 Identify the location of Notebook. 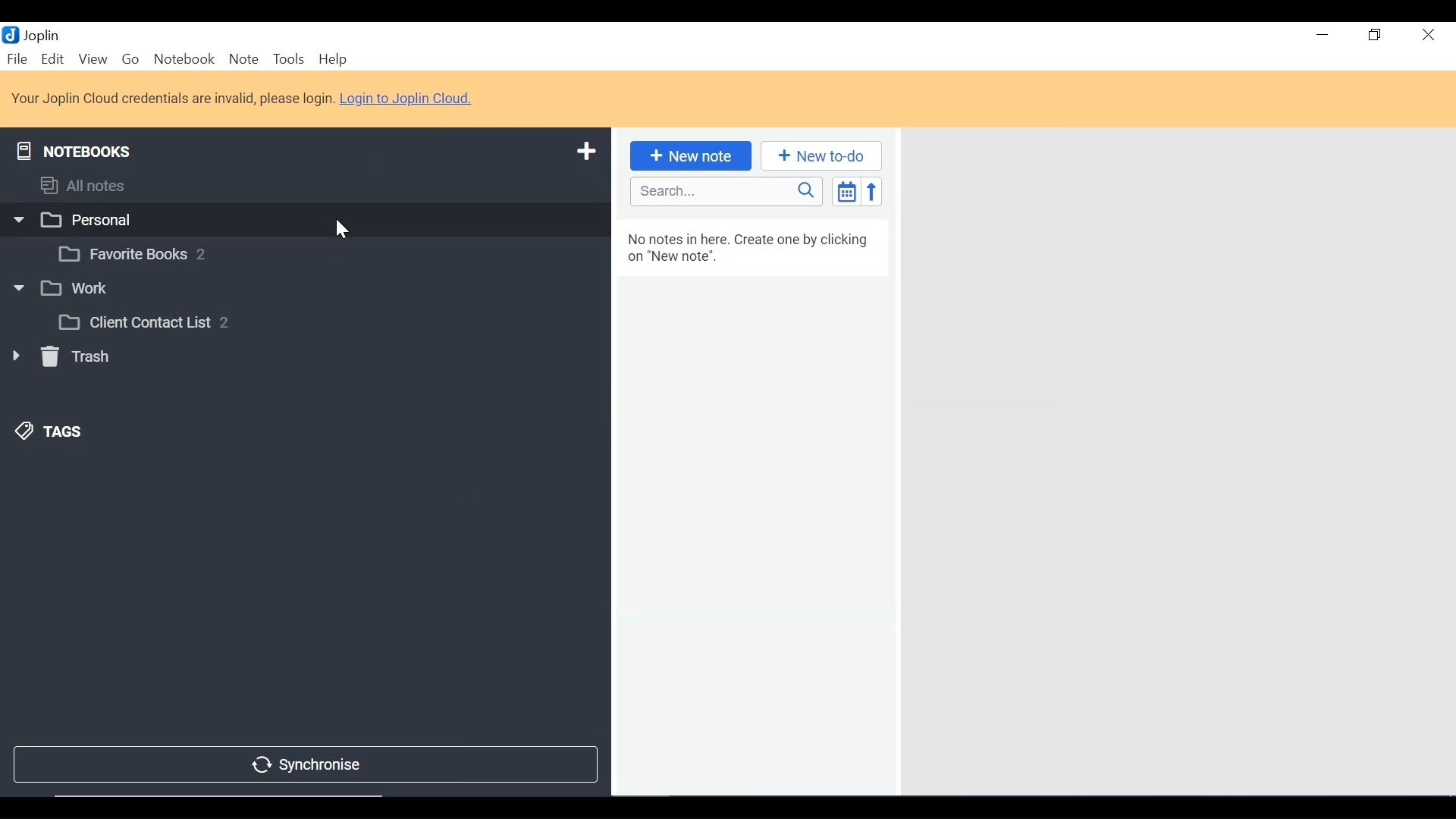
(318, 322).